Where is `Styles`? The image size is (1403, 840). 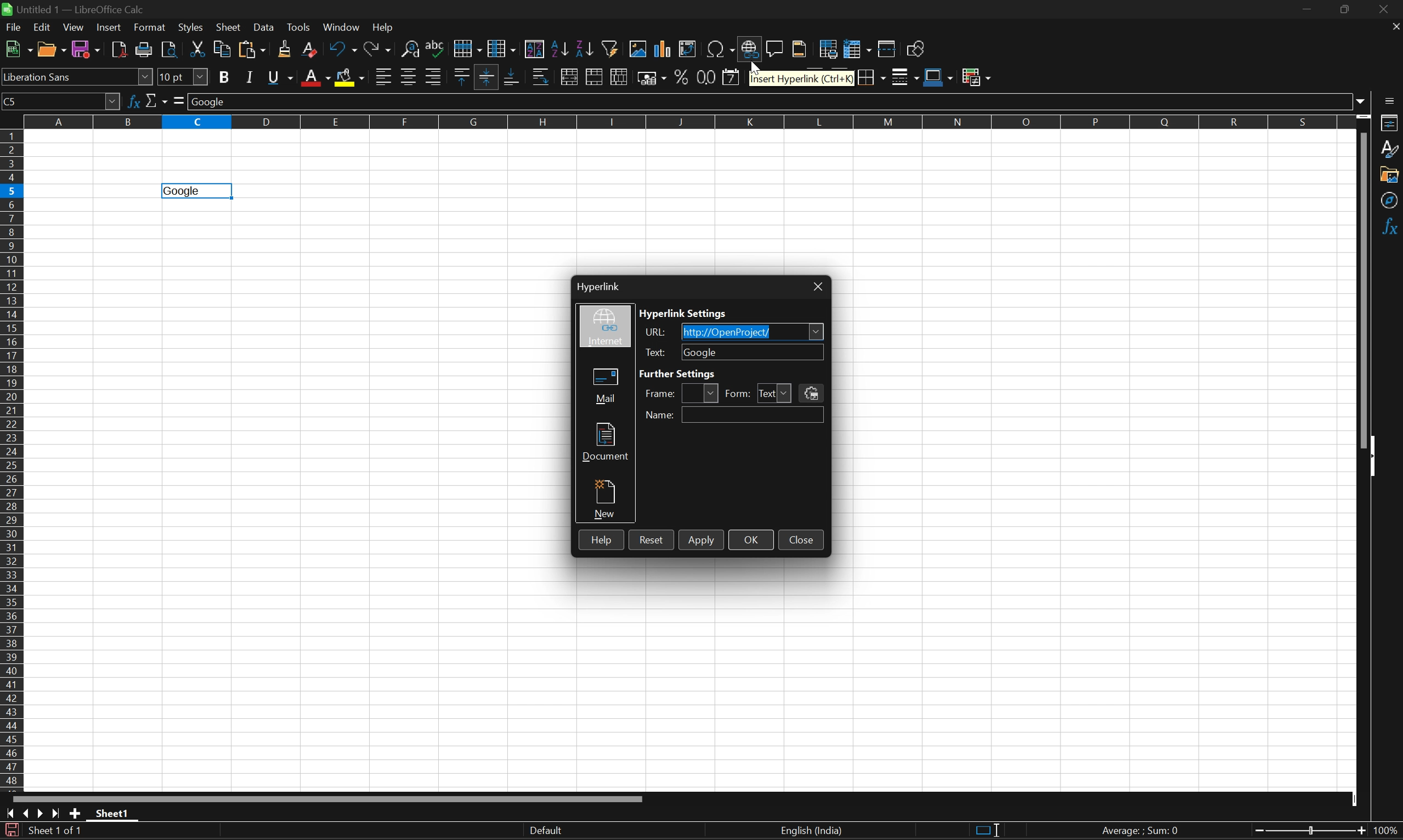 Styles is located at coordinates (1391, 149).